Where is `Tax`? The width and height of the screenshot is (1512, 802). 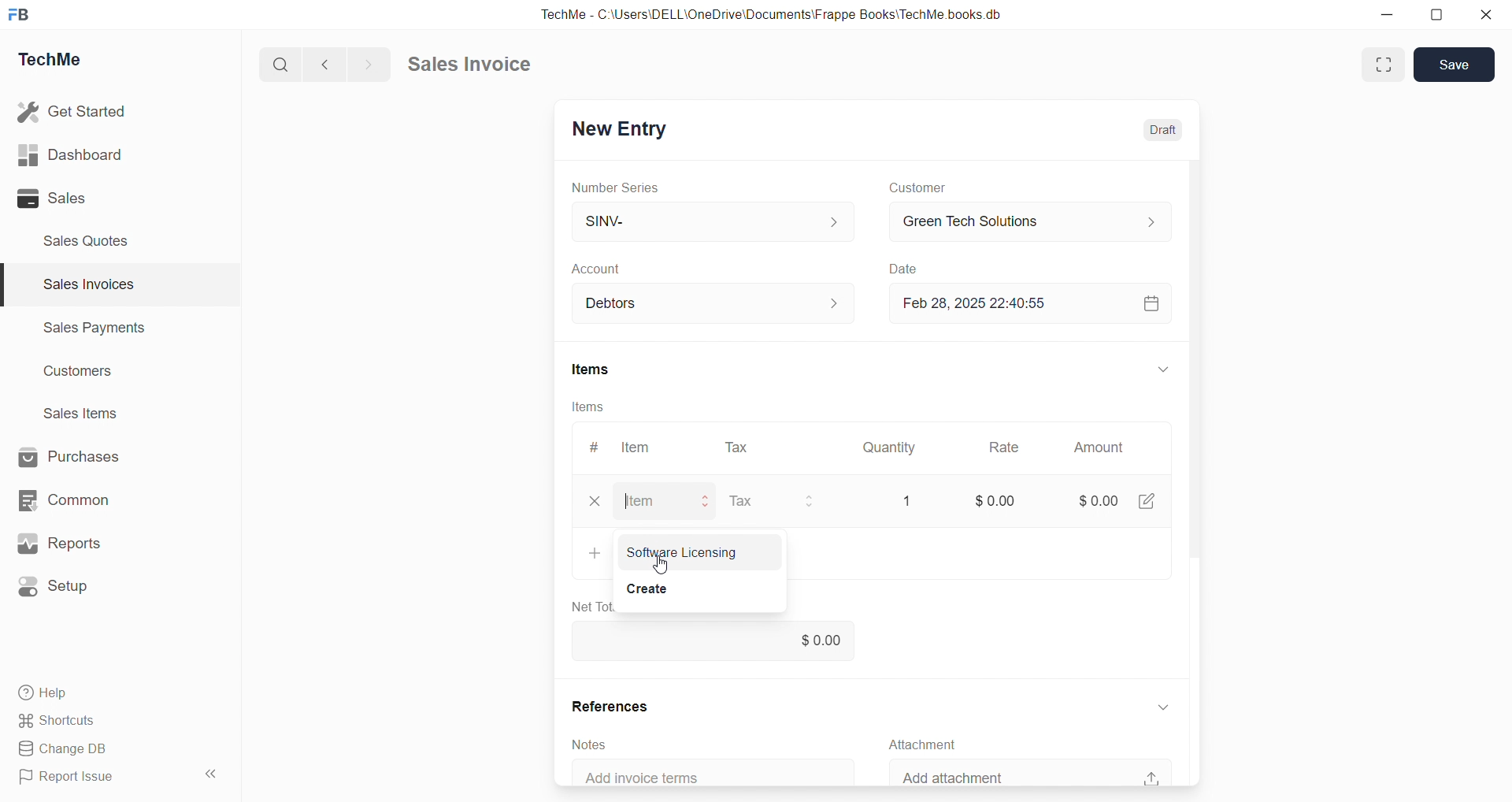 Tax is located at coordinates (741, 501).